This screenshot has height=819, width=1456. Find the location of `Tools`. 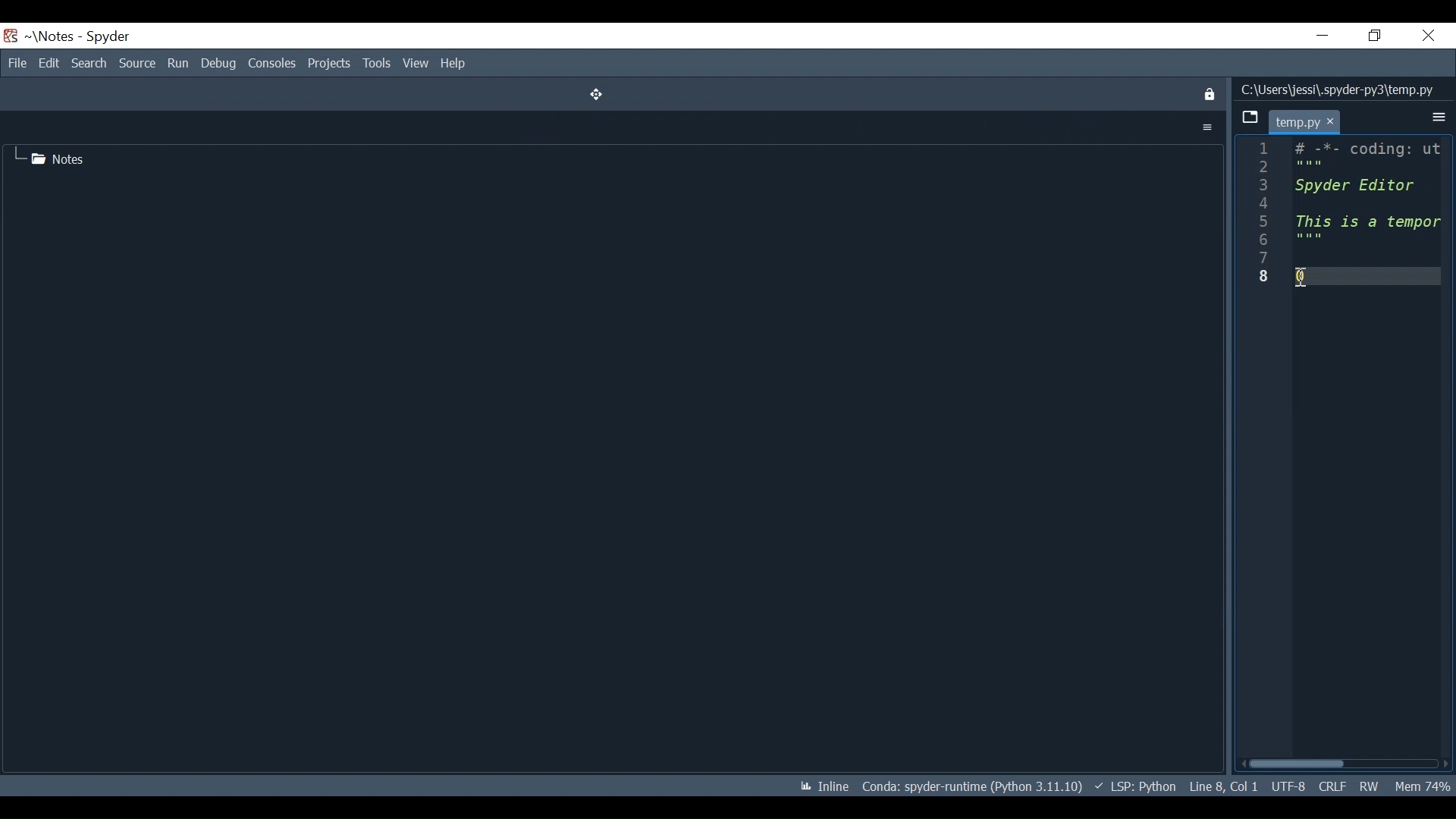

Tools is located at coordinates (377, 64).